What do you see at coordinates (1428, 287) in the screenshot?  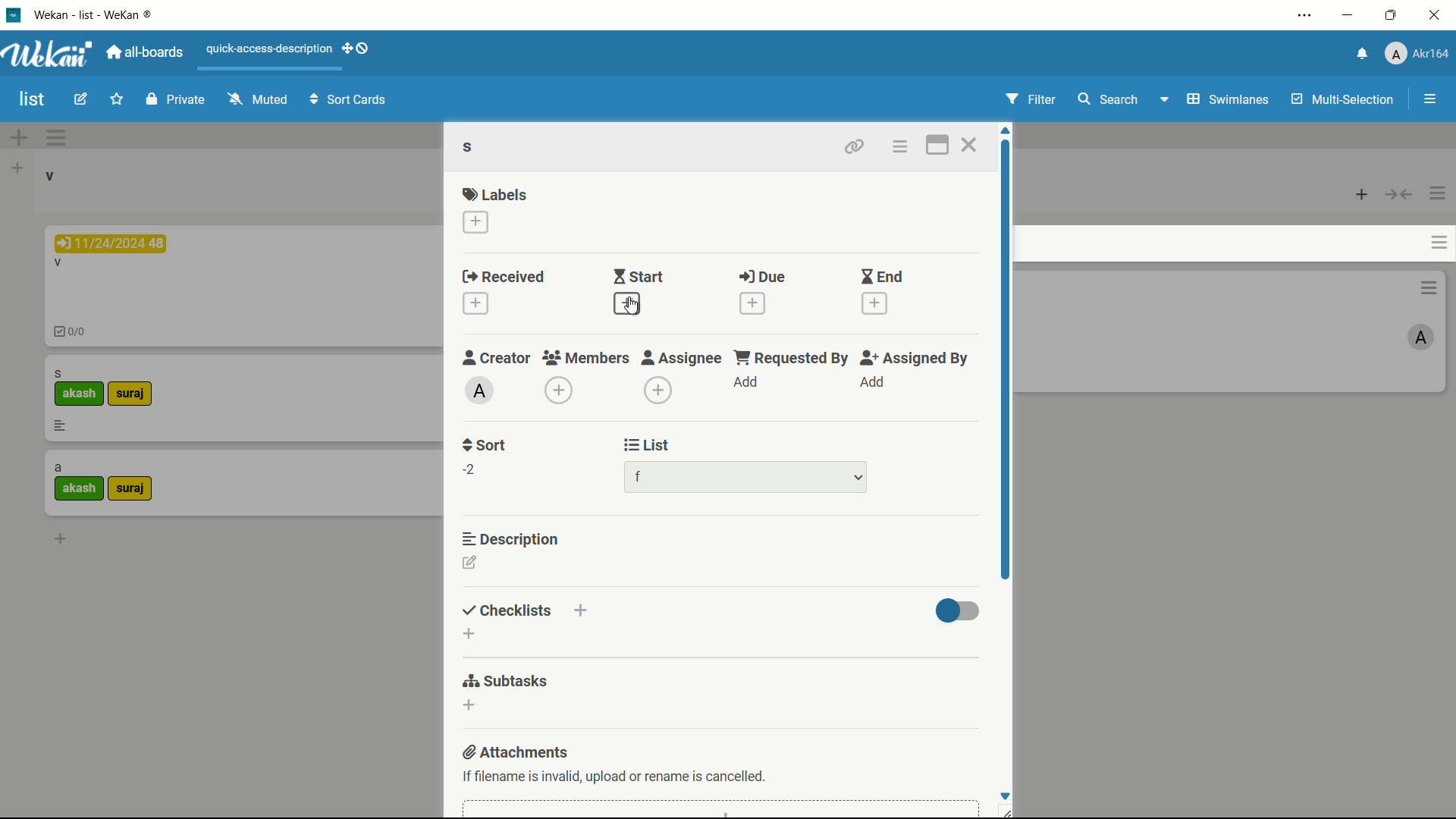 I see `card actions` at bounding box center [1428, 287].